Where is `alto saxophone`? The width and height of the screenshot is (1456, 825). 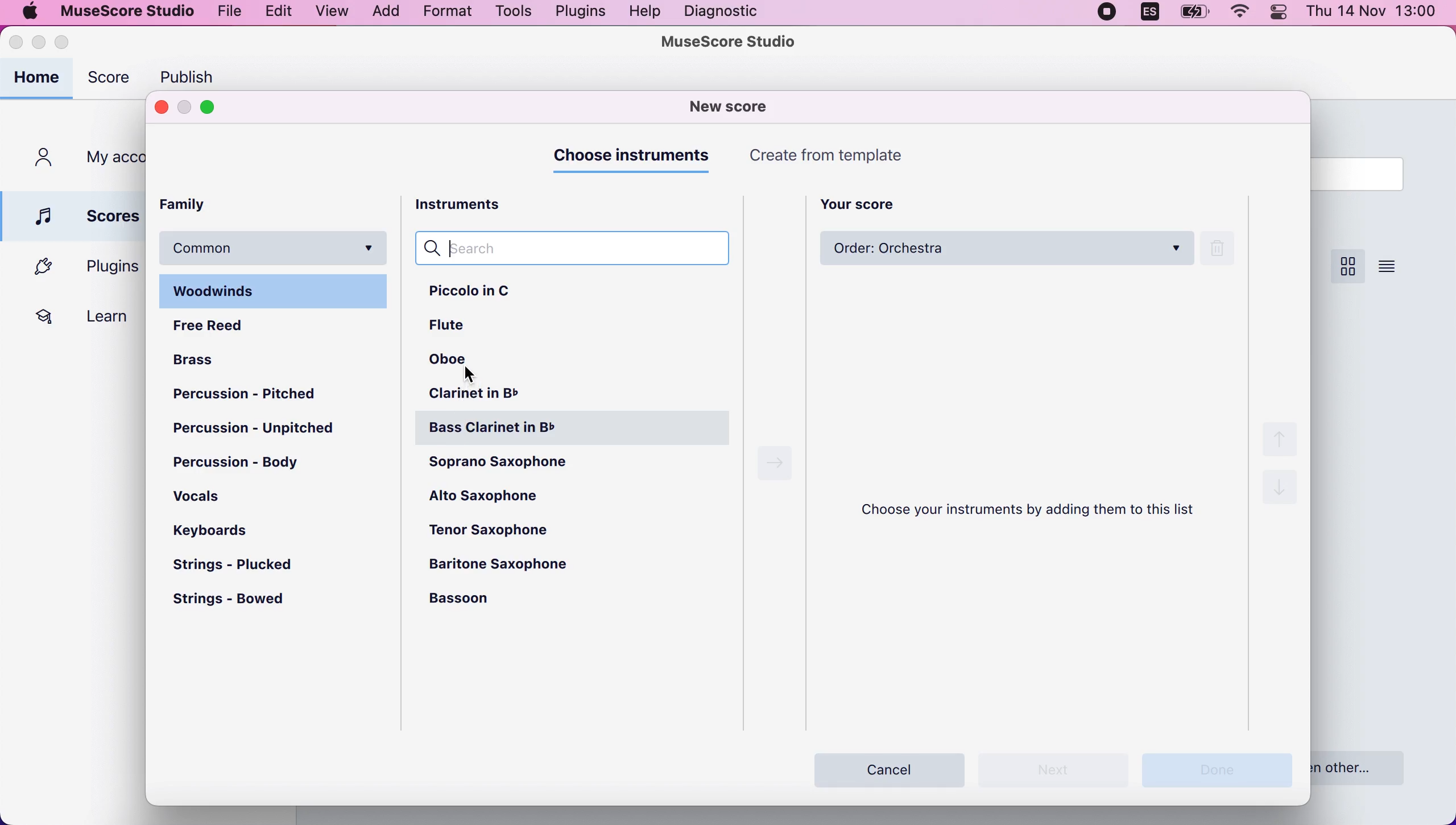 alto saxophone is located at coordinates (495, 498).